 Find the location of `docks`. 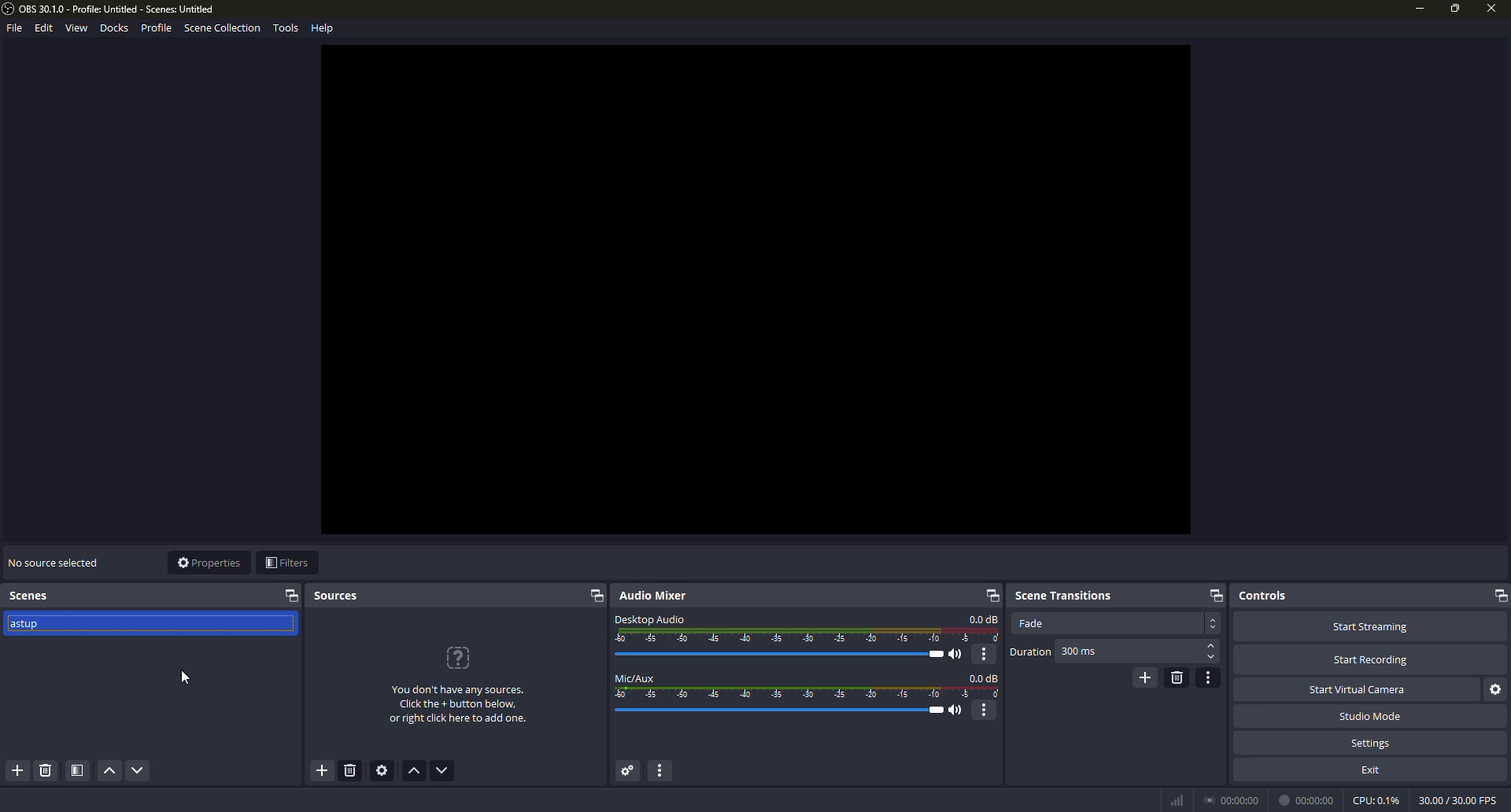

docks is located at coordinates (115, 28).